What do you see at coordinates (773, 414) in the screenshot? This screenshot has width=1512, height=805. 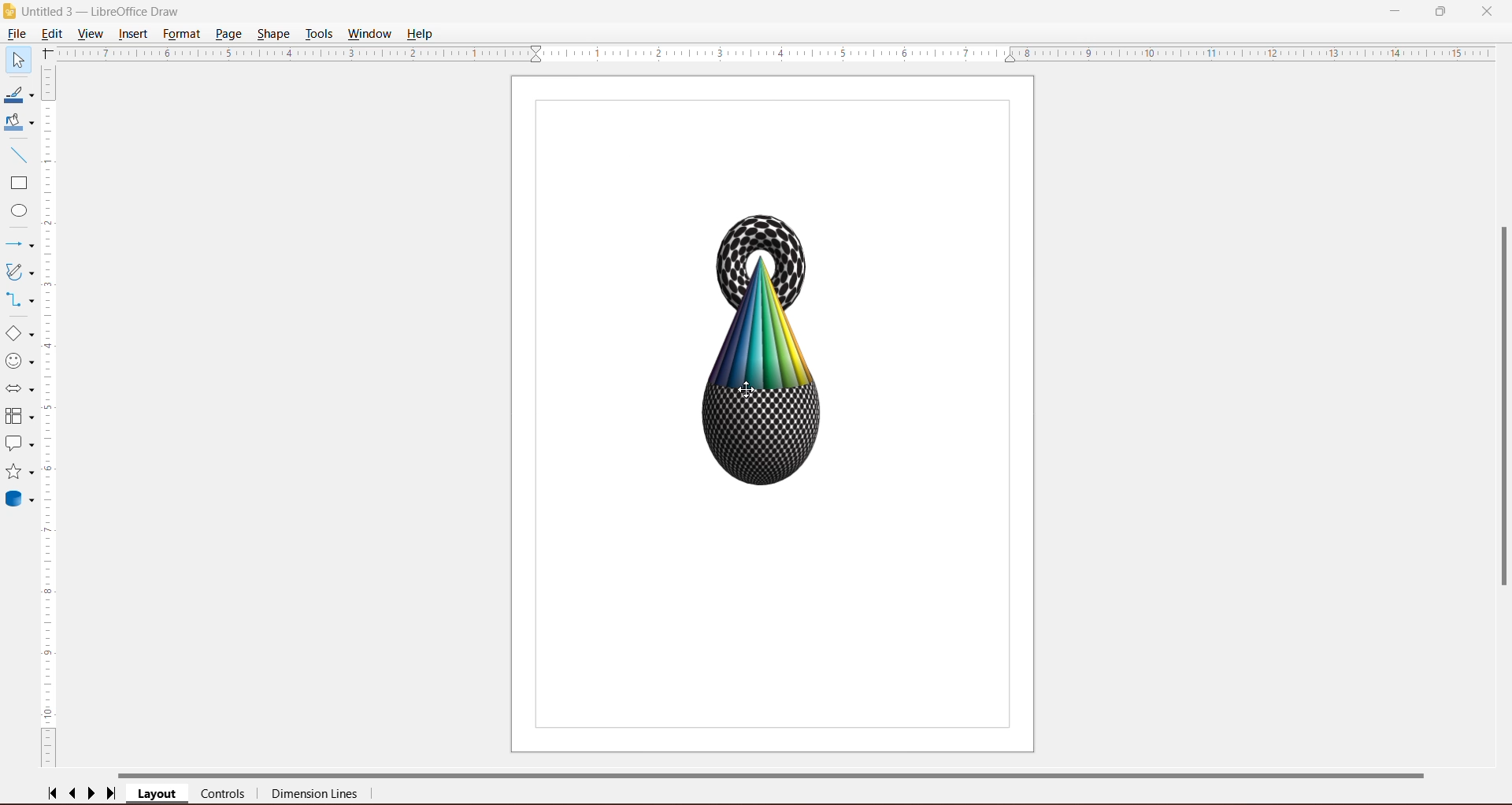 I see `Current Page` at bounding box center [773, 414].